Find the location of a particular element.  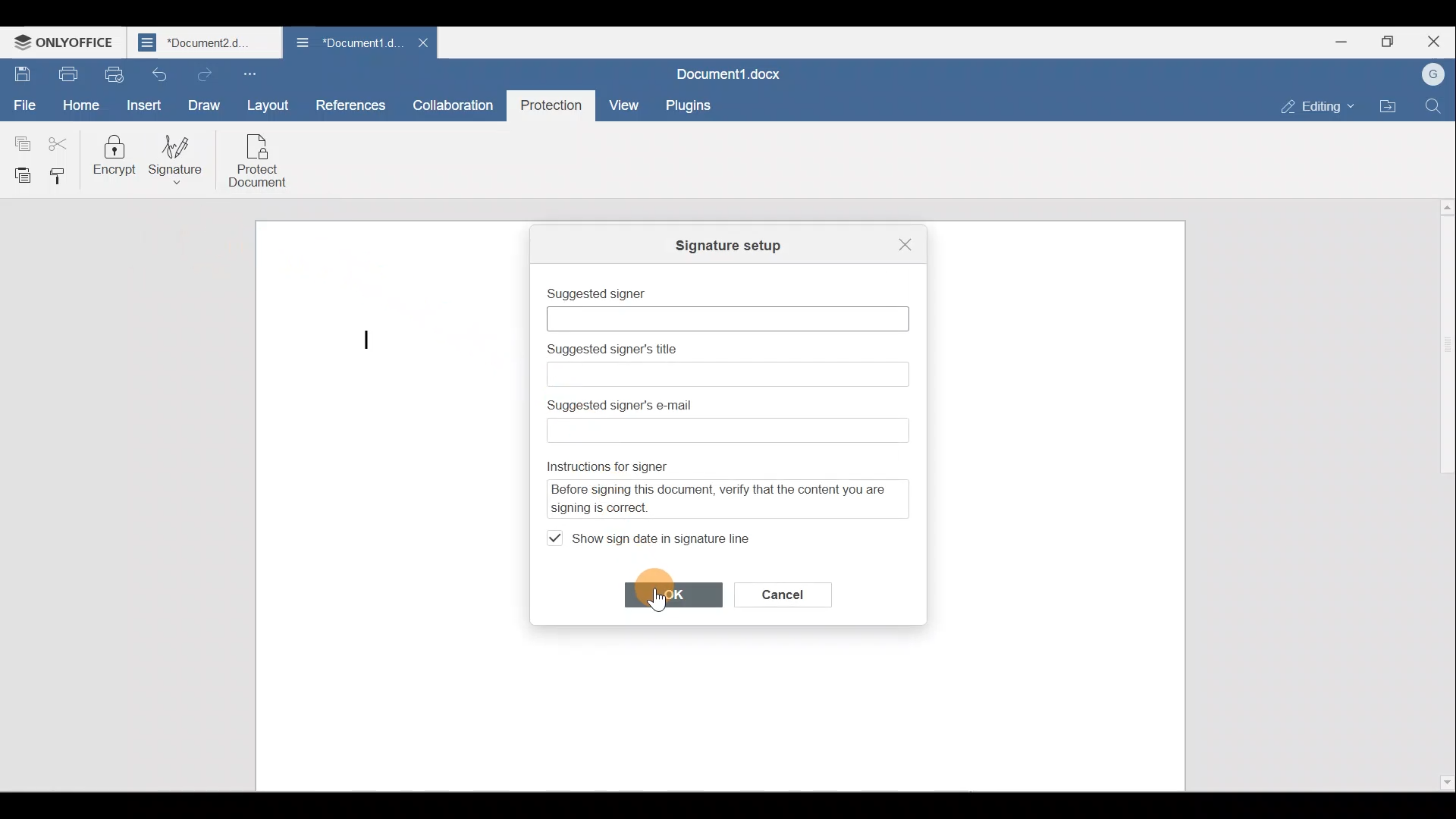

Collaboration is located at coordinates (453, 105).